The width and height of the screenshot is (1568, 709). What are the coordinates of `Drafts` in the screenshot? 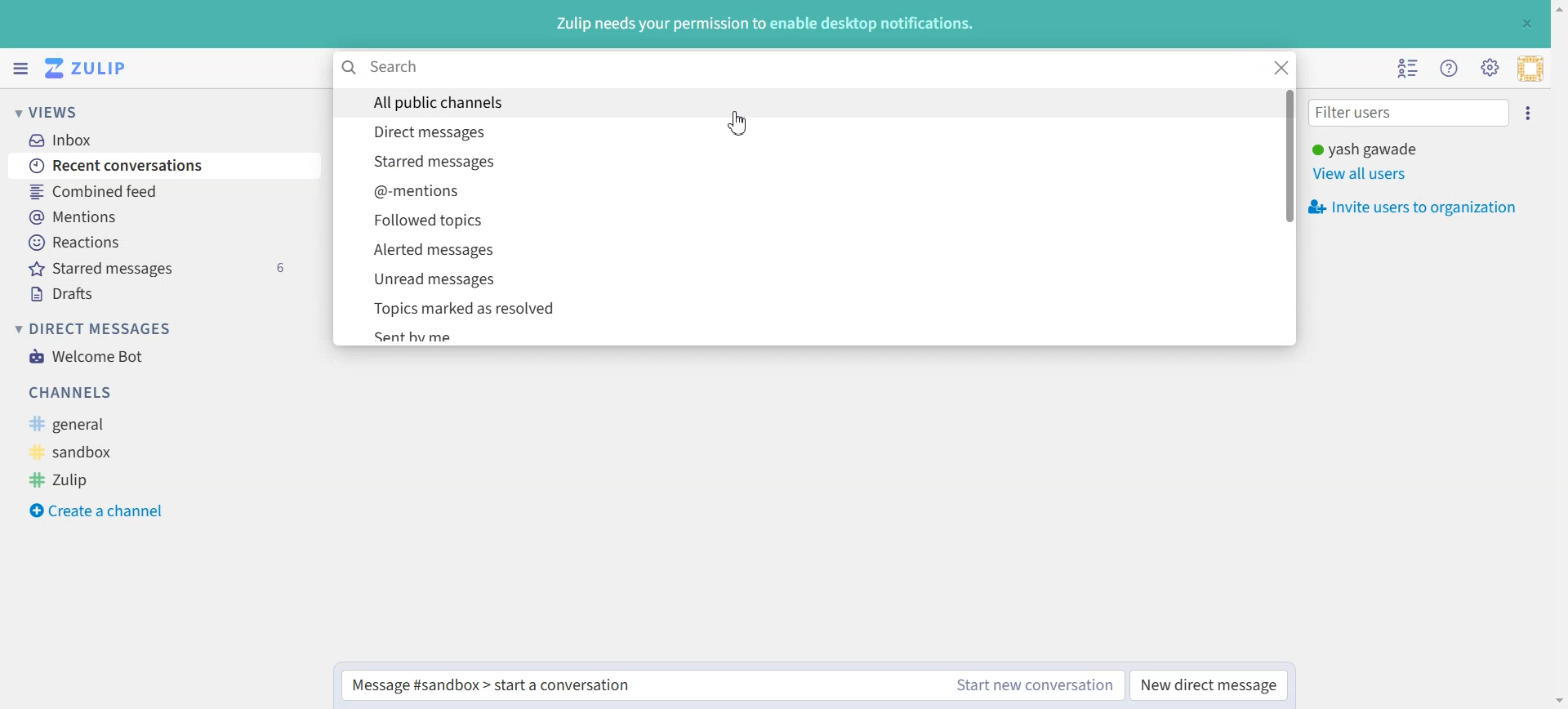 It's located at (162, 292).